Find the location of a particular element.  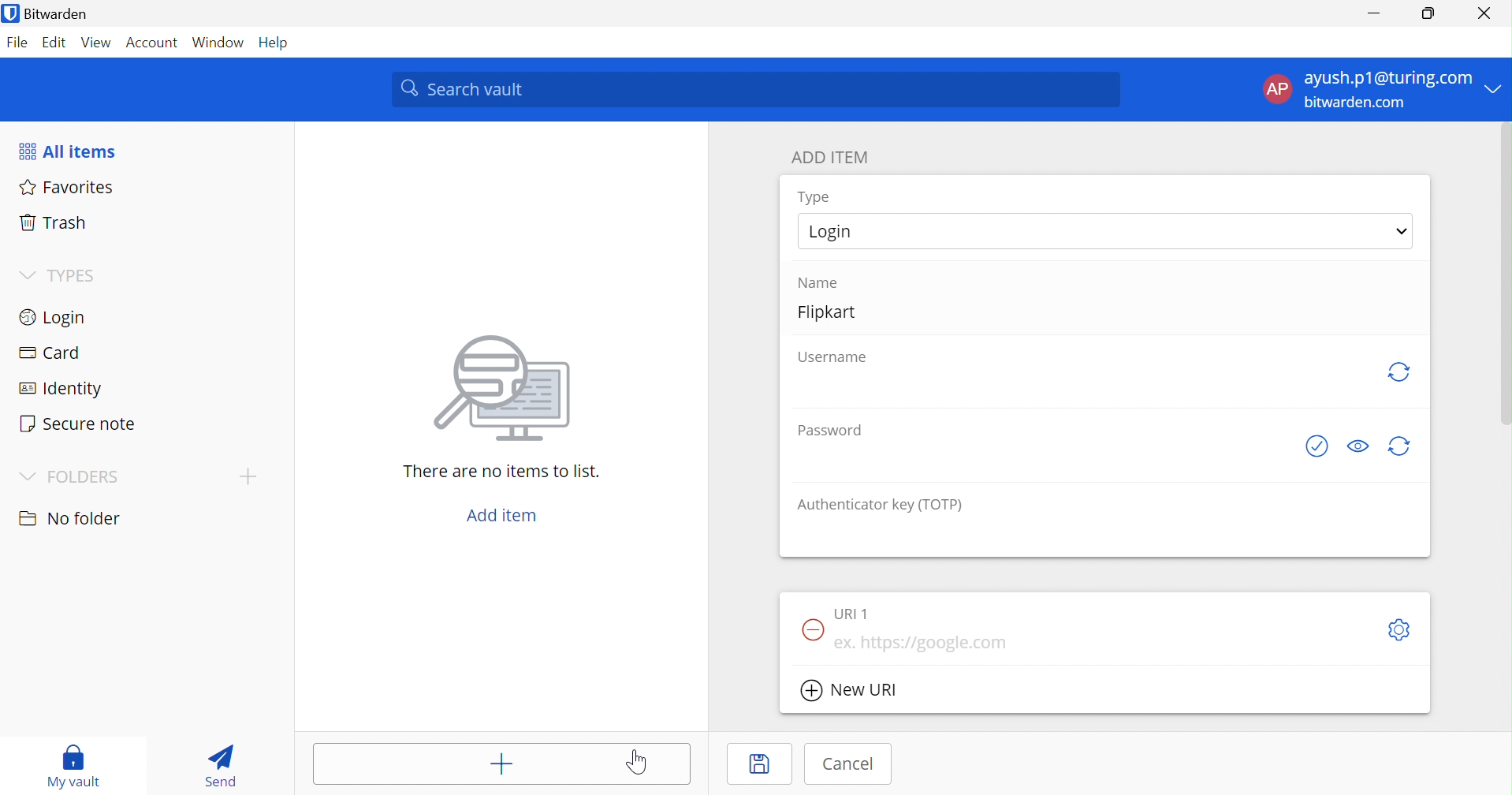

Card is located at coordinates (53, 353).